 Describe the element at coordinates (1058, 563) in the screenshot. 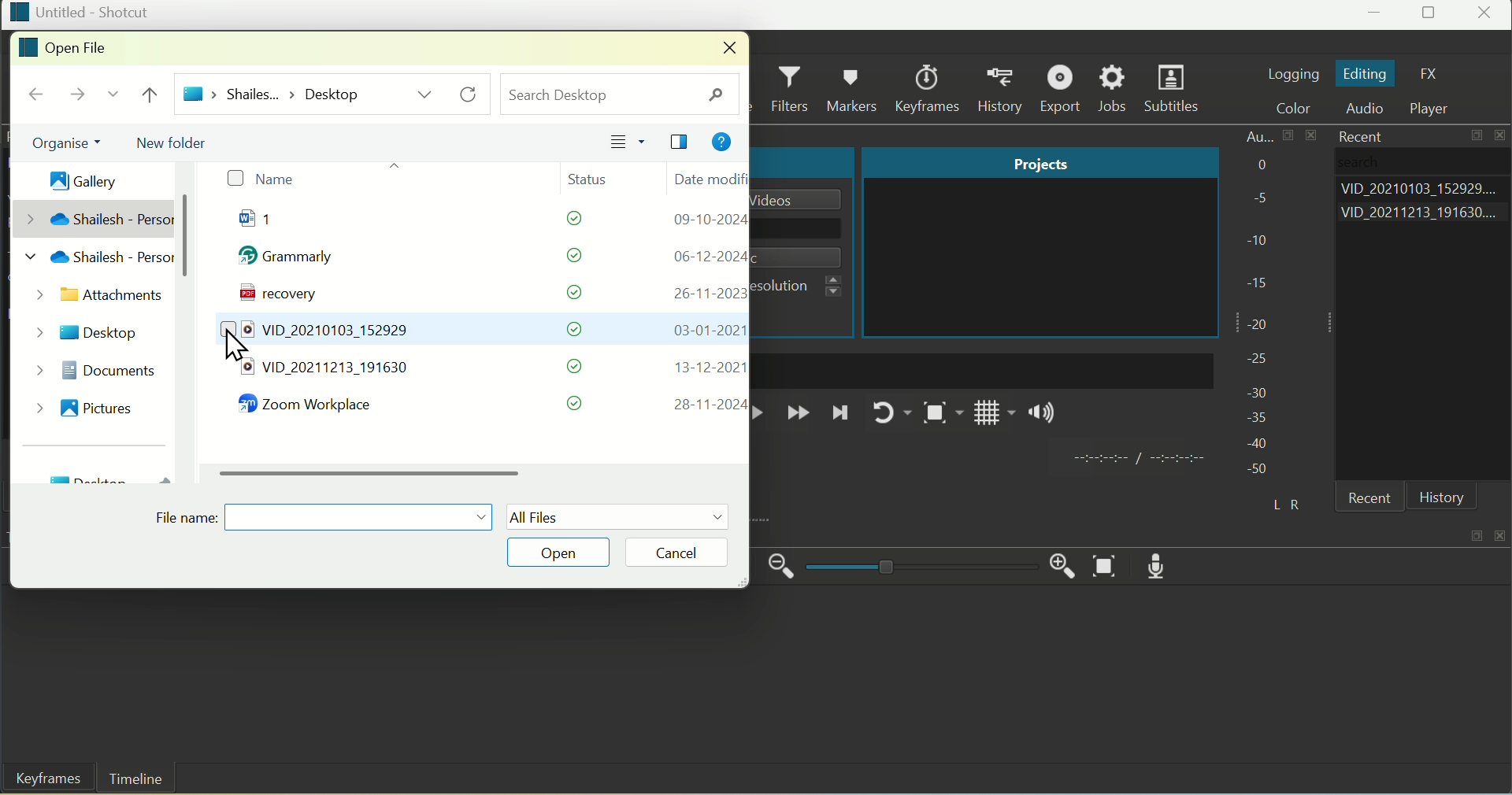

I see `Zoom in` at that location.